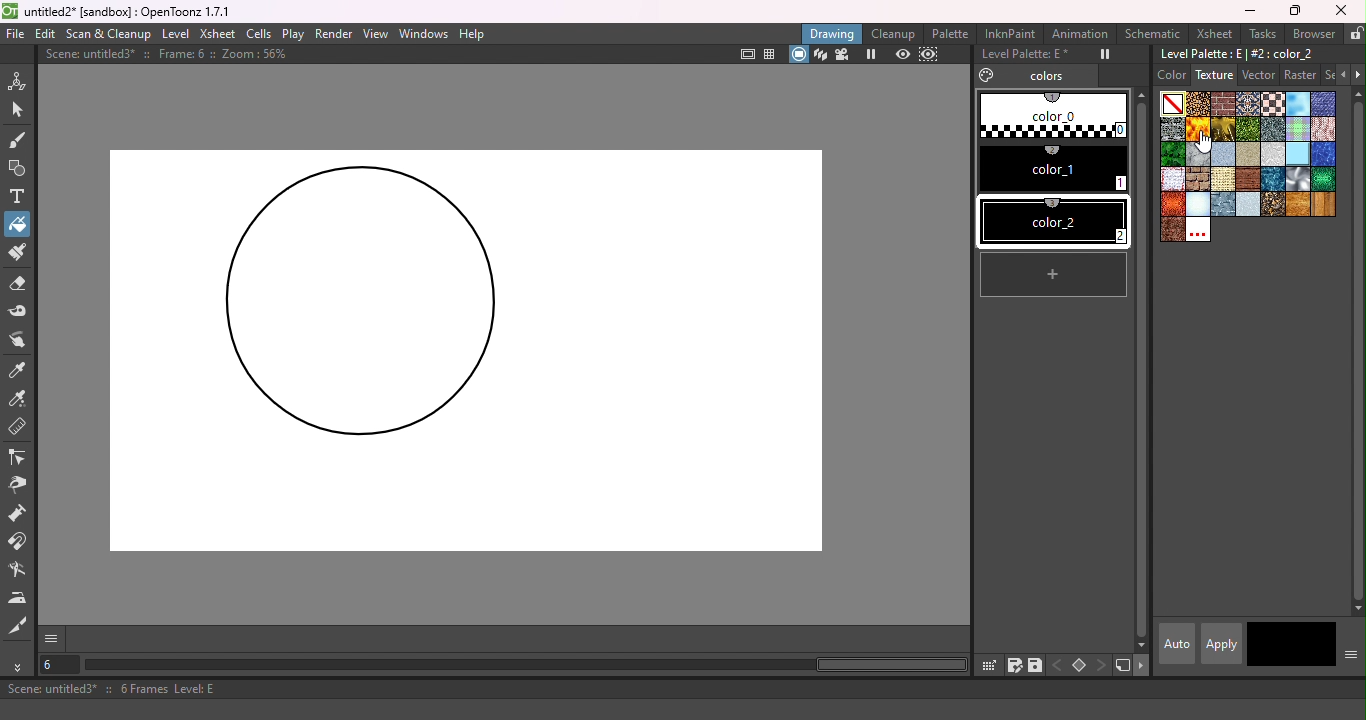  I want to click on Brush tool, so click(19, 140).